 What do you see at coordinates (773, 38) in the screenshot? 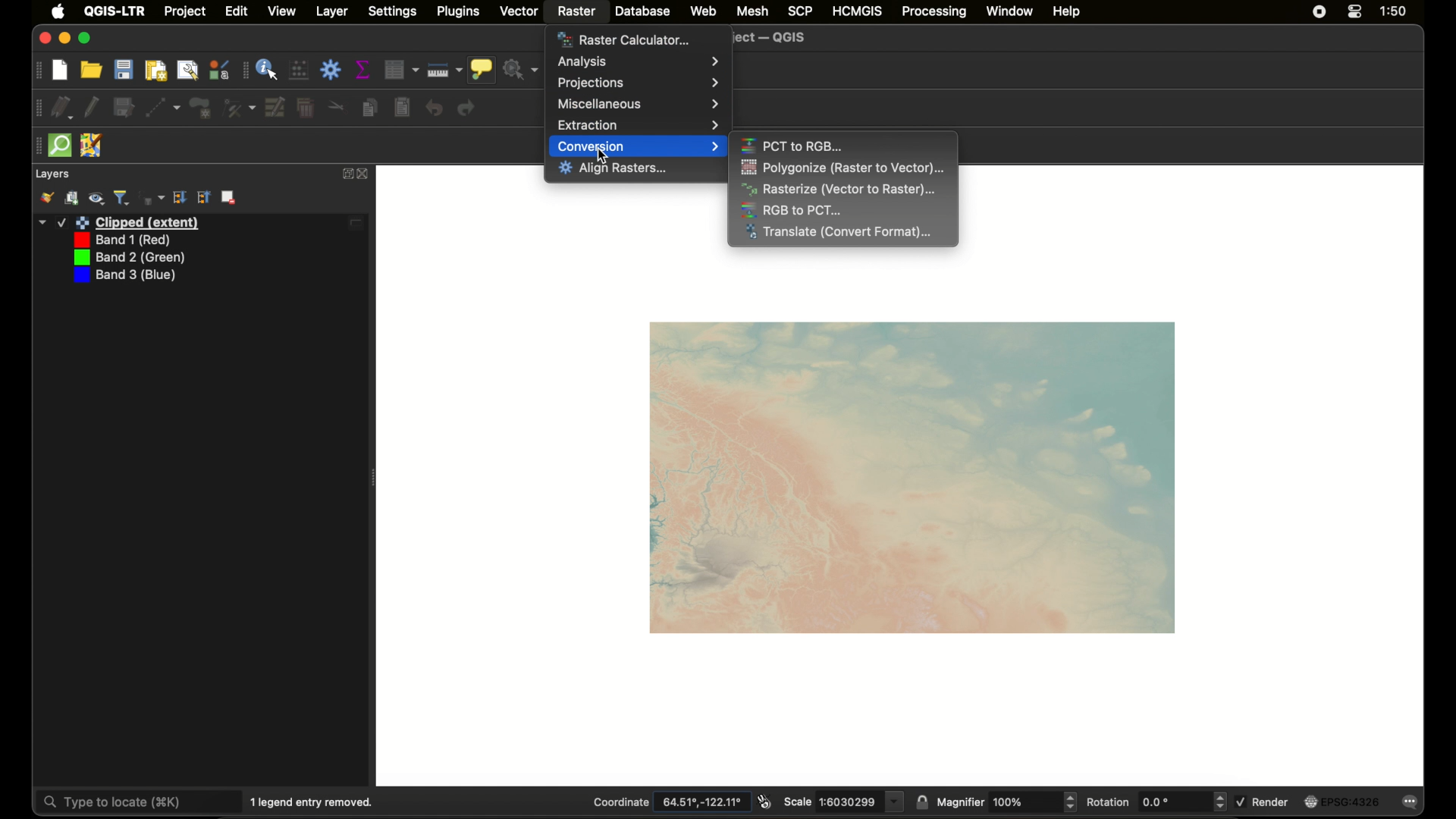
I see `untitled project  - QGIS` at bounding box center [773, 38].